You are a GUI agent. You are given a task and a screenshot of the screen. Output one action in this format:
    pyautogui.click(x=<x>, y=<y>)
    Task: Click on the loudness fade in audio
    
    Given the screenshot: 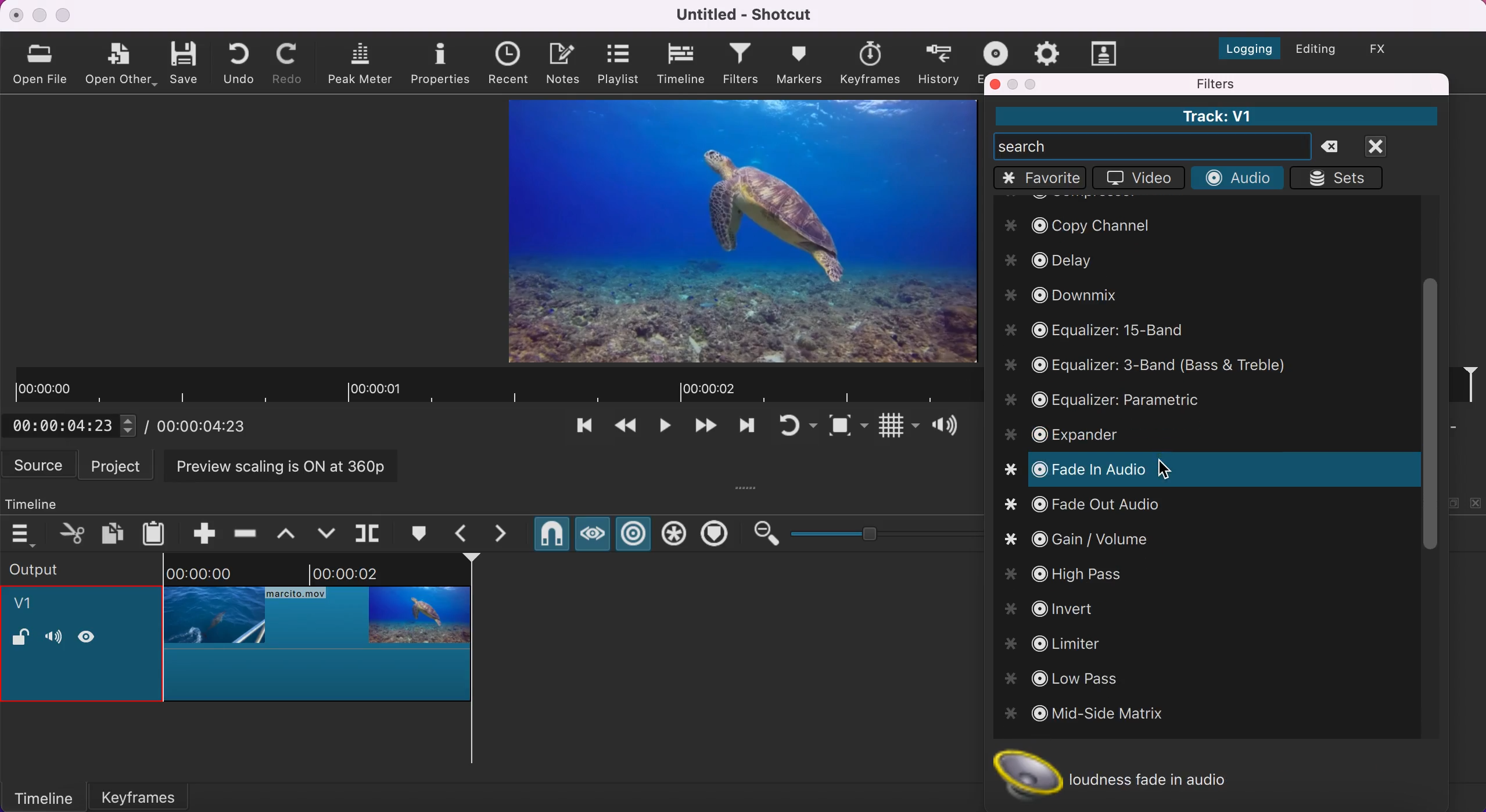 What is the action you would take?
    pyautogui.click(x=1142, y=771)
    